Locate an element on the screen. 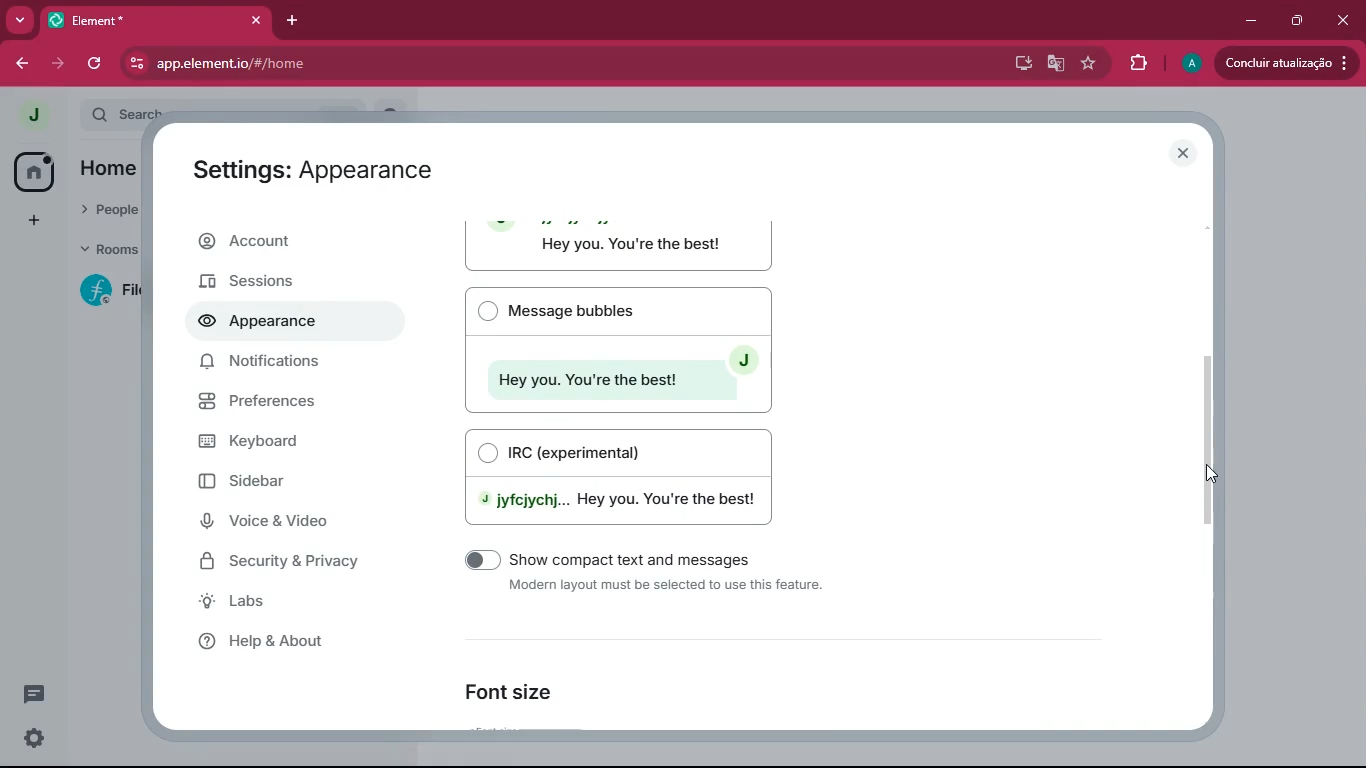 The height and width of the screenshot is (768, 1366). security & privacy is located at coordinates (285, 560).